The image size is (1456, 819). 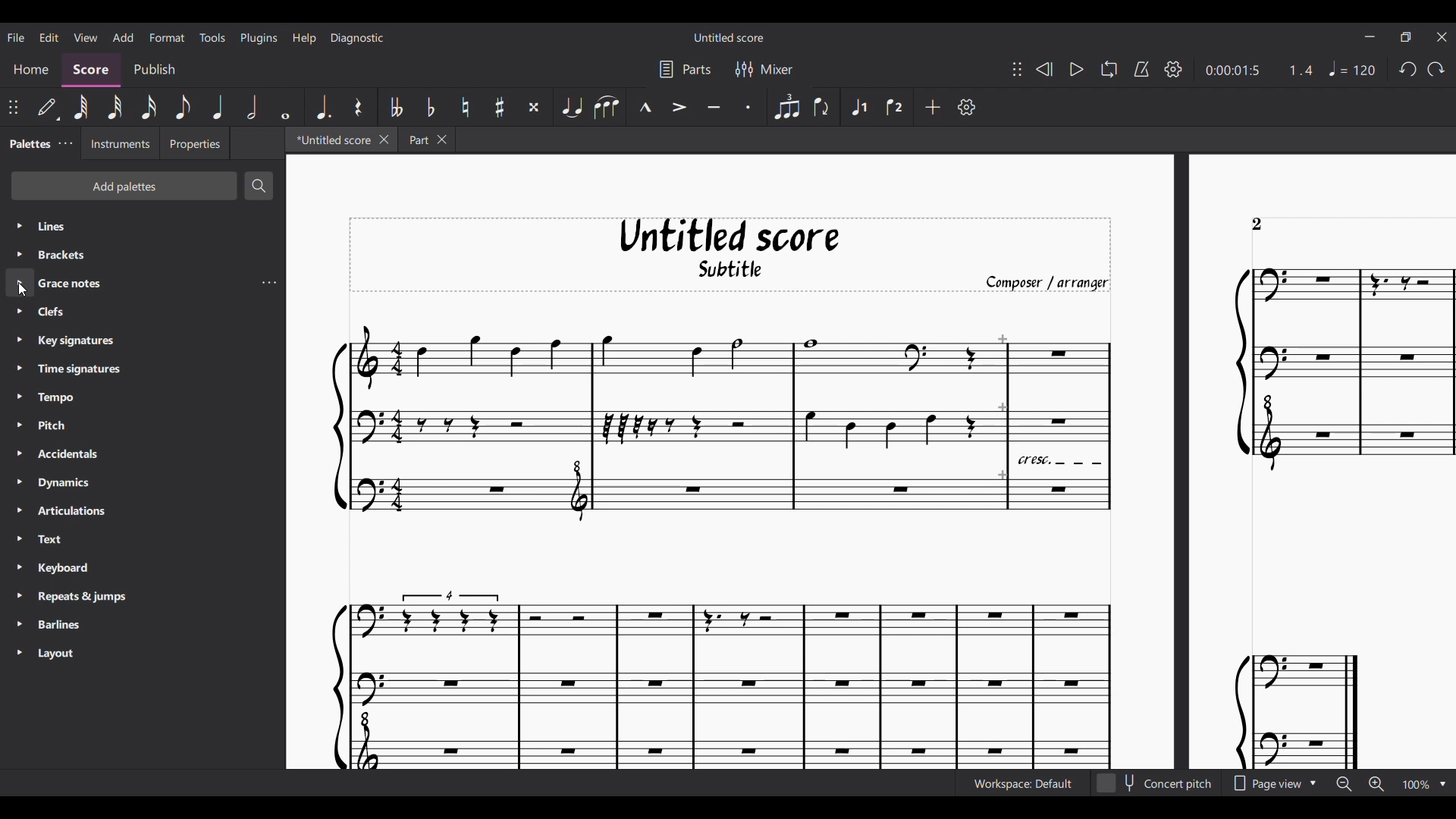 I want to click on Tempo, so click(x=1352, y=68).